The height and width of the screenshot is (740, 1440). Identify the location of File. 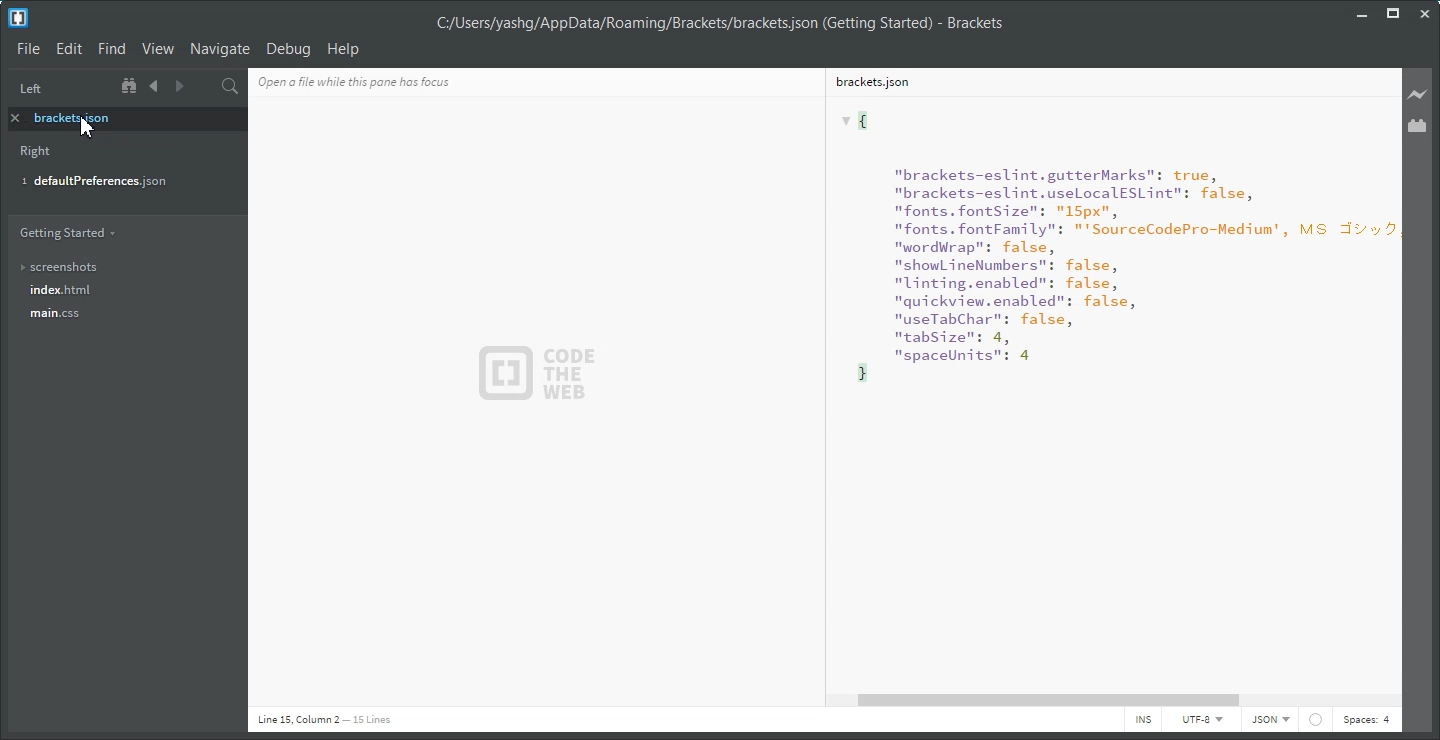
(28, 48).